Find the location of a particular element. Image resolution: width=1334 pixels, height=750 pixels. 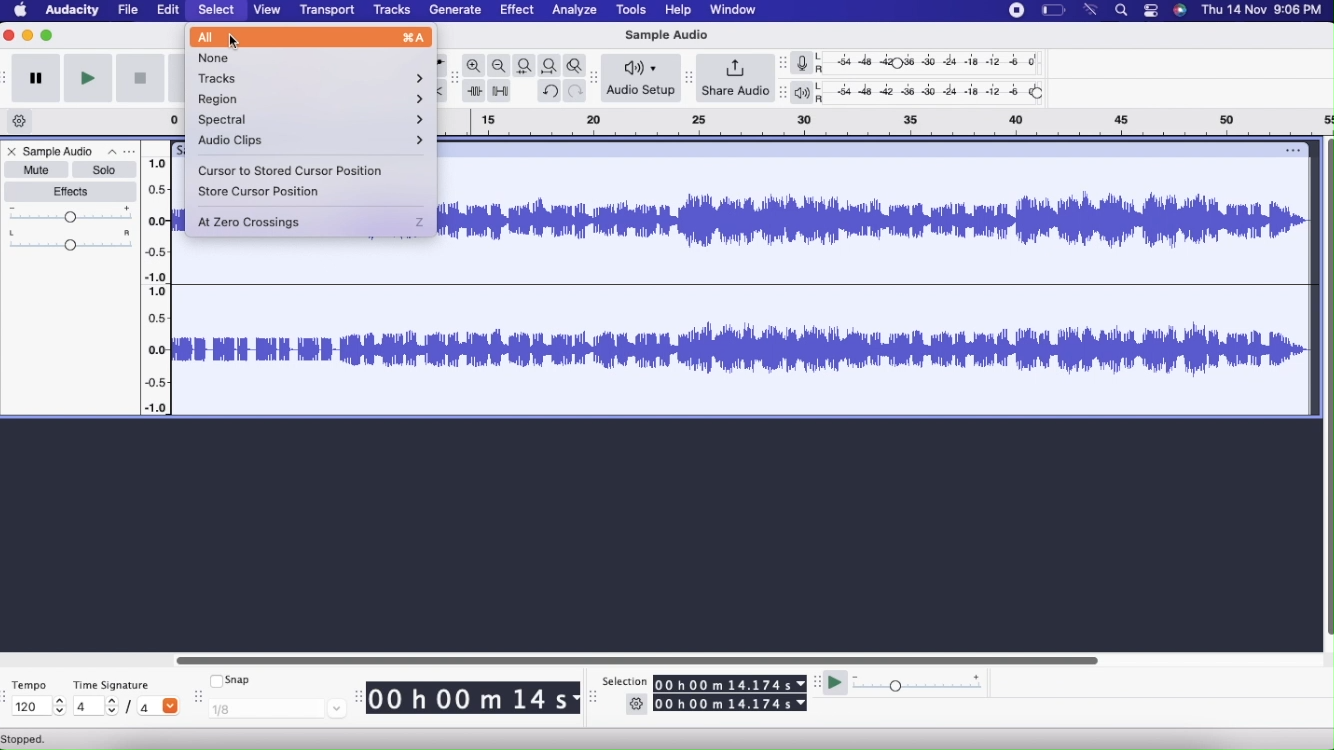

Edit is located at coordinates (168, 10).